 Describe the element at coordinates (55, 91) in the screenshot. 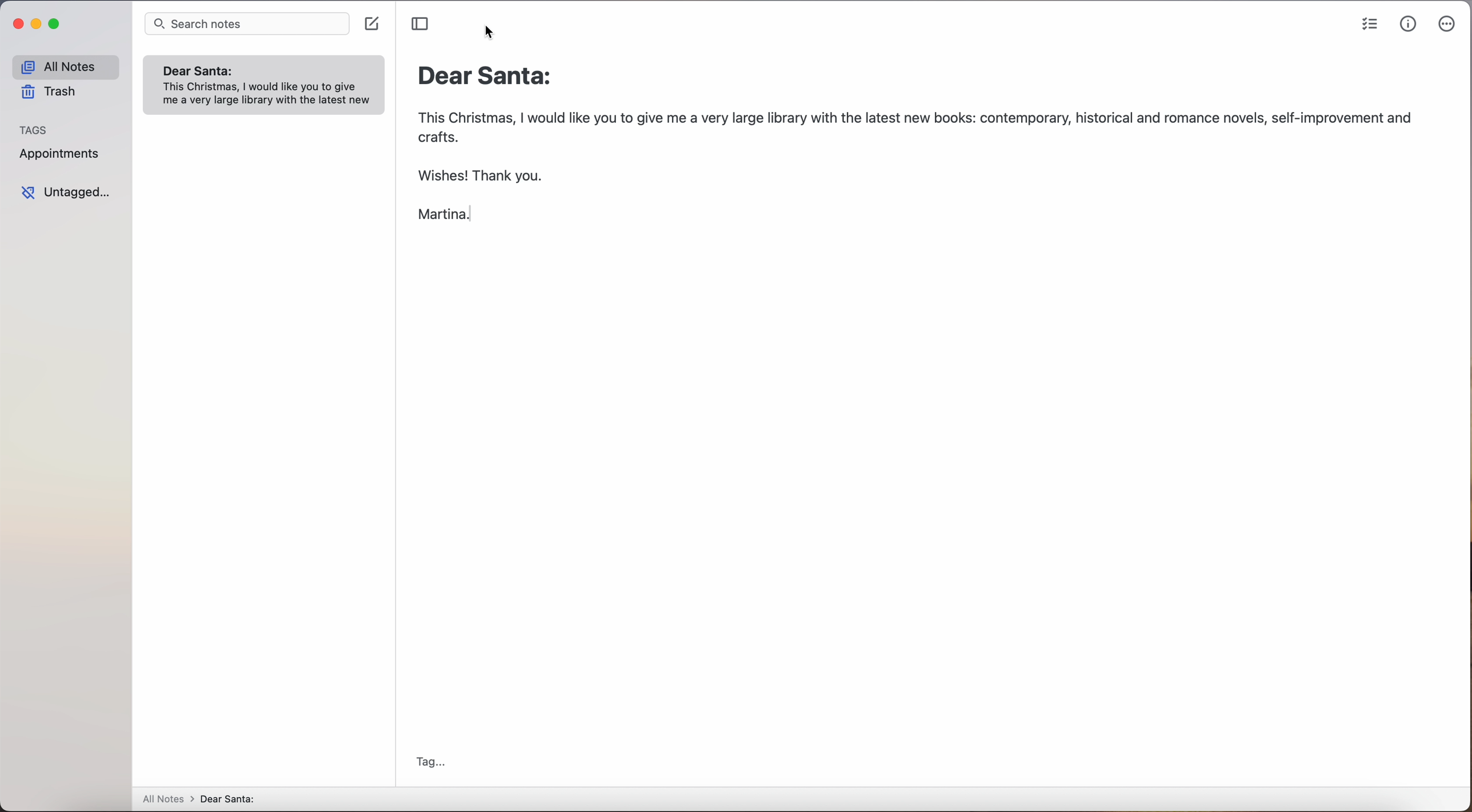

I see `trash` at that location.